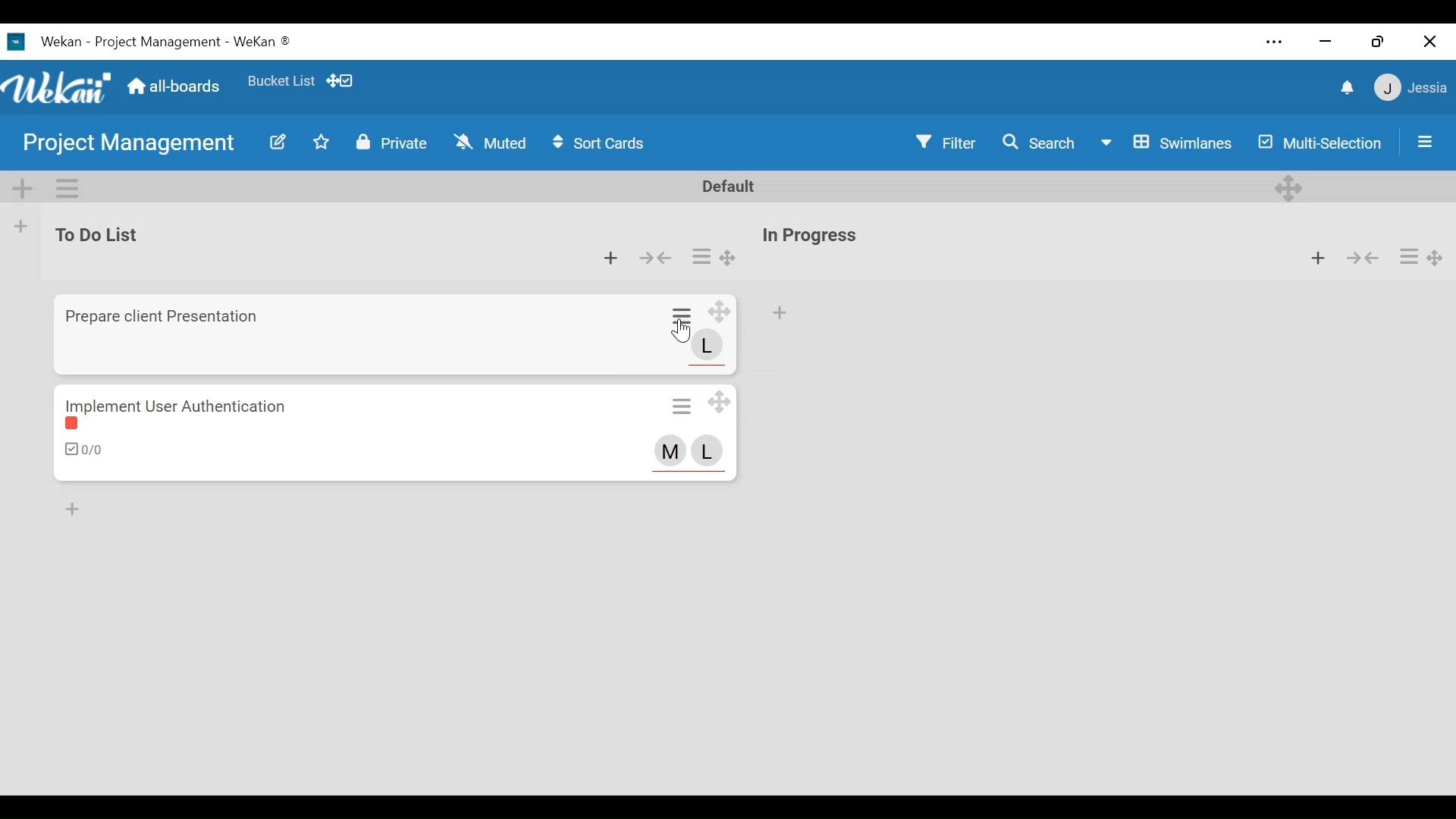 Image resolution: width=1456 pixels, height=819 pixels. Describe the element at coordinates (702, 256) in the screenshot. I see `card actions` at that location.